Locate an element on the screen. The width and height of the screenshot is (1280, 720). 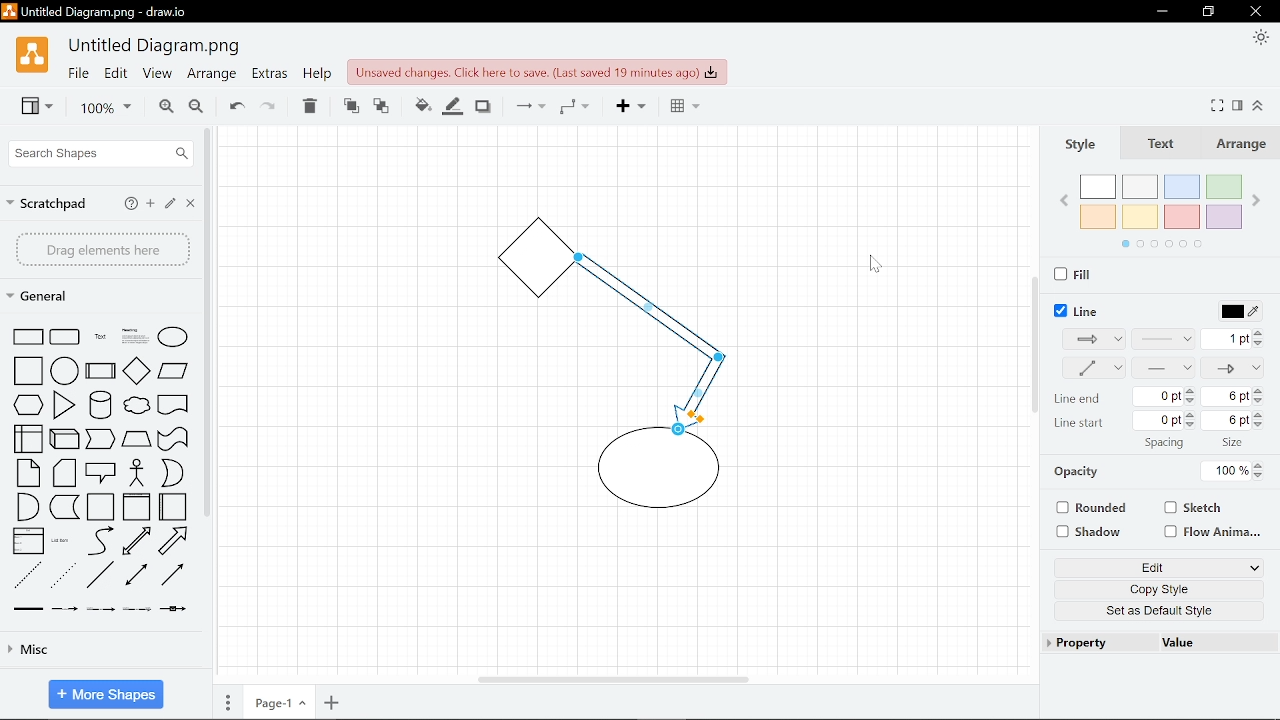
shape is located at coordinates (67, 438).